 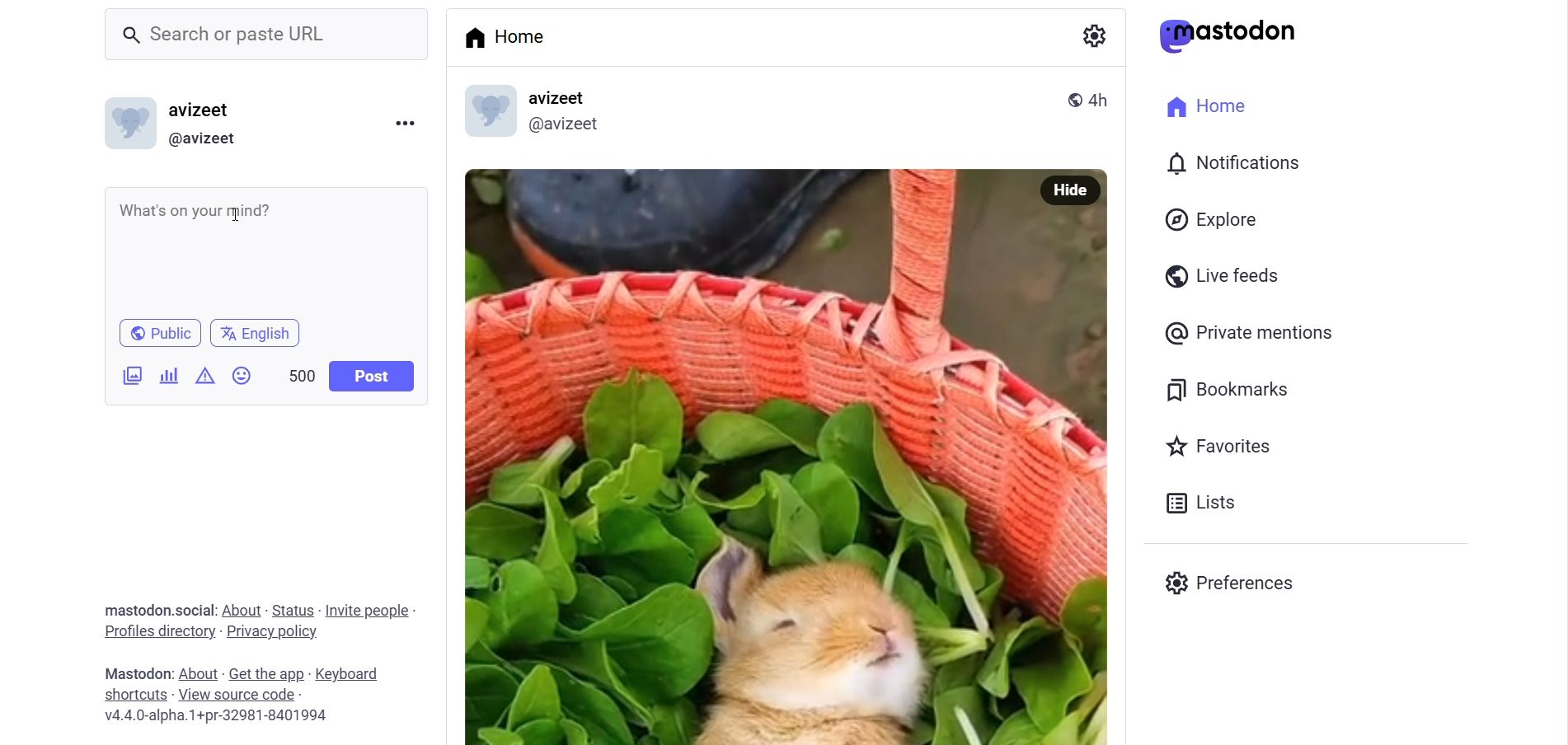 What do you see at coordinates (132, 374) in the screenshot?
I see `Add Image` at bounding box center [132, 374].